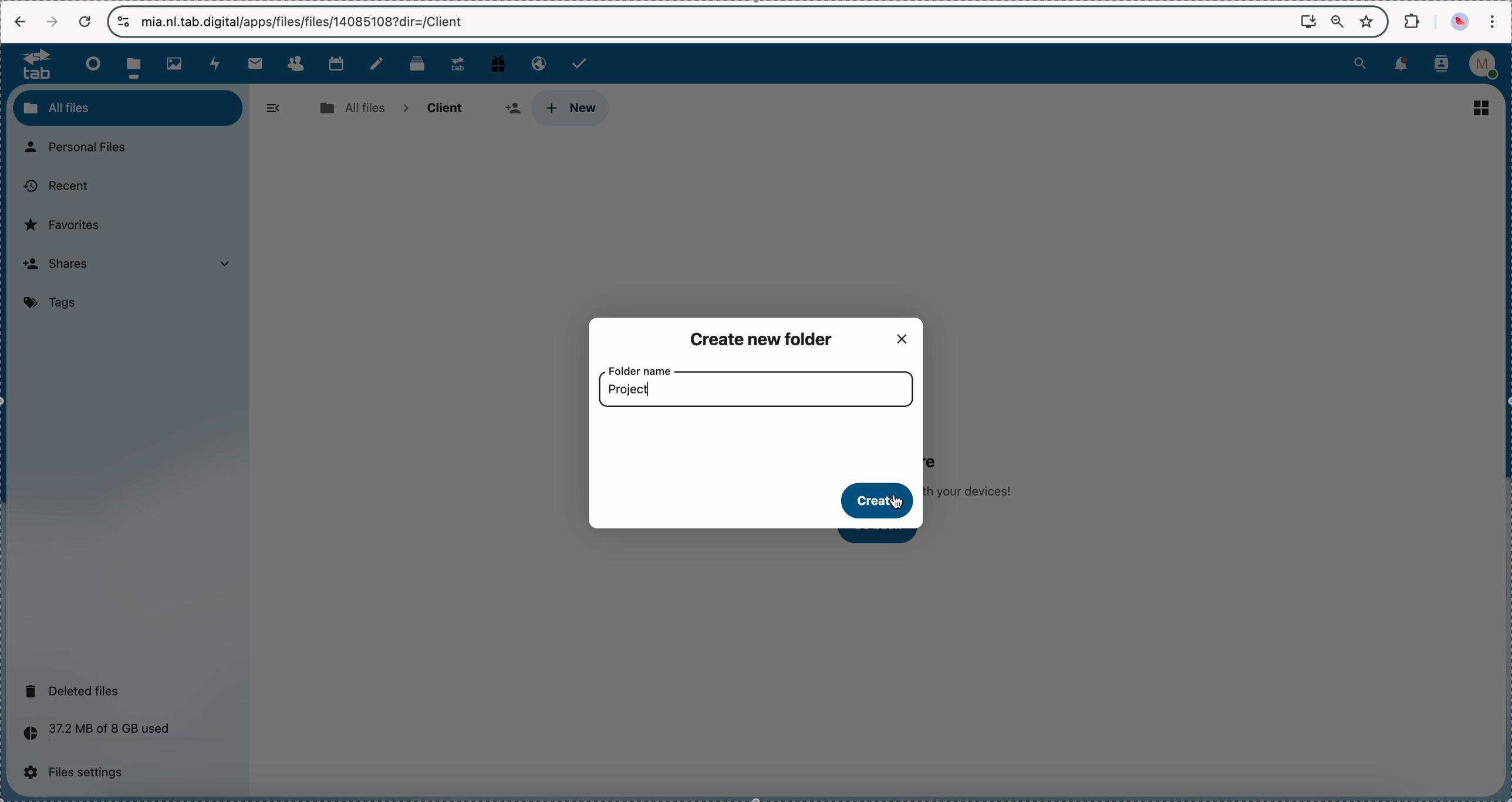 This screenshot has width=1512, height=802. I want to click on navigate back, so click(21, 23).